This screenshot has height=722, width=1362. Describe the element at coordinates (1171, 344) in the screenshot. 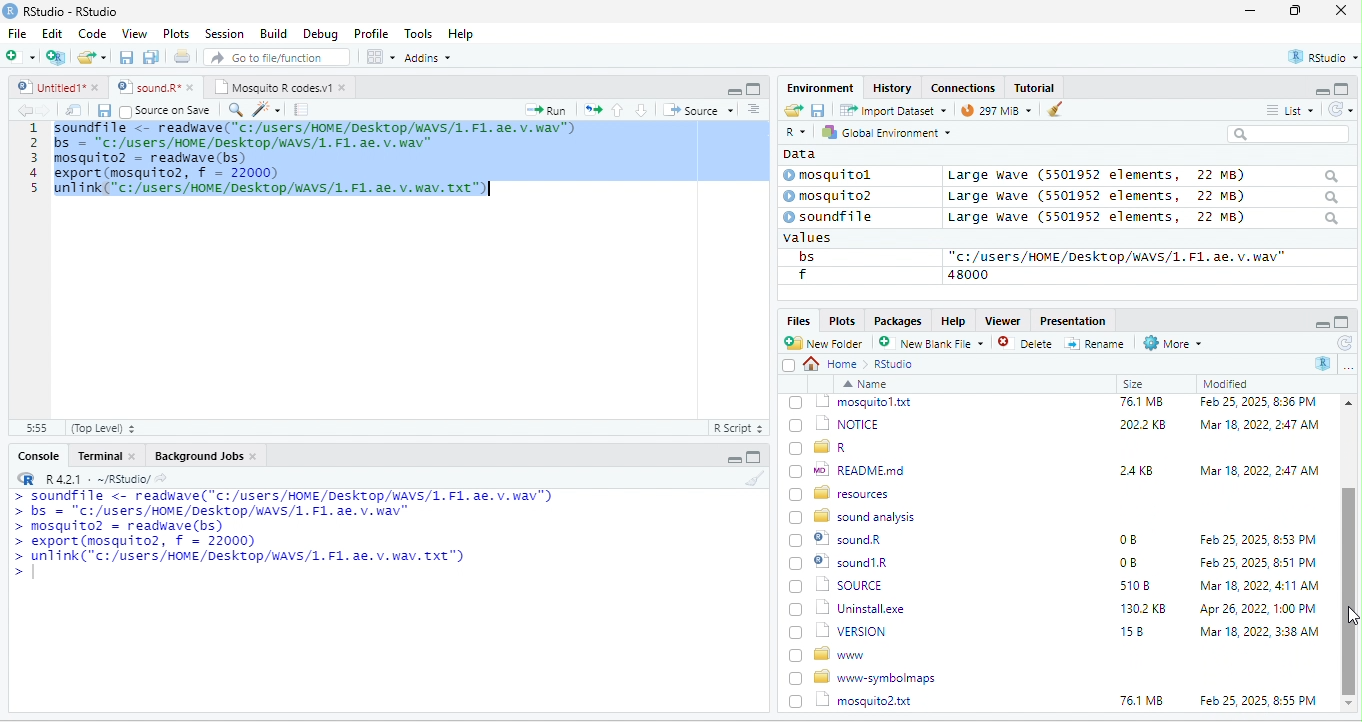

I see ` More ` at that location.